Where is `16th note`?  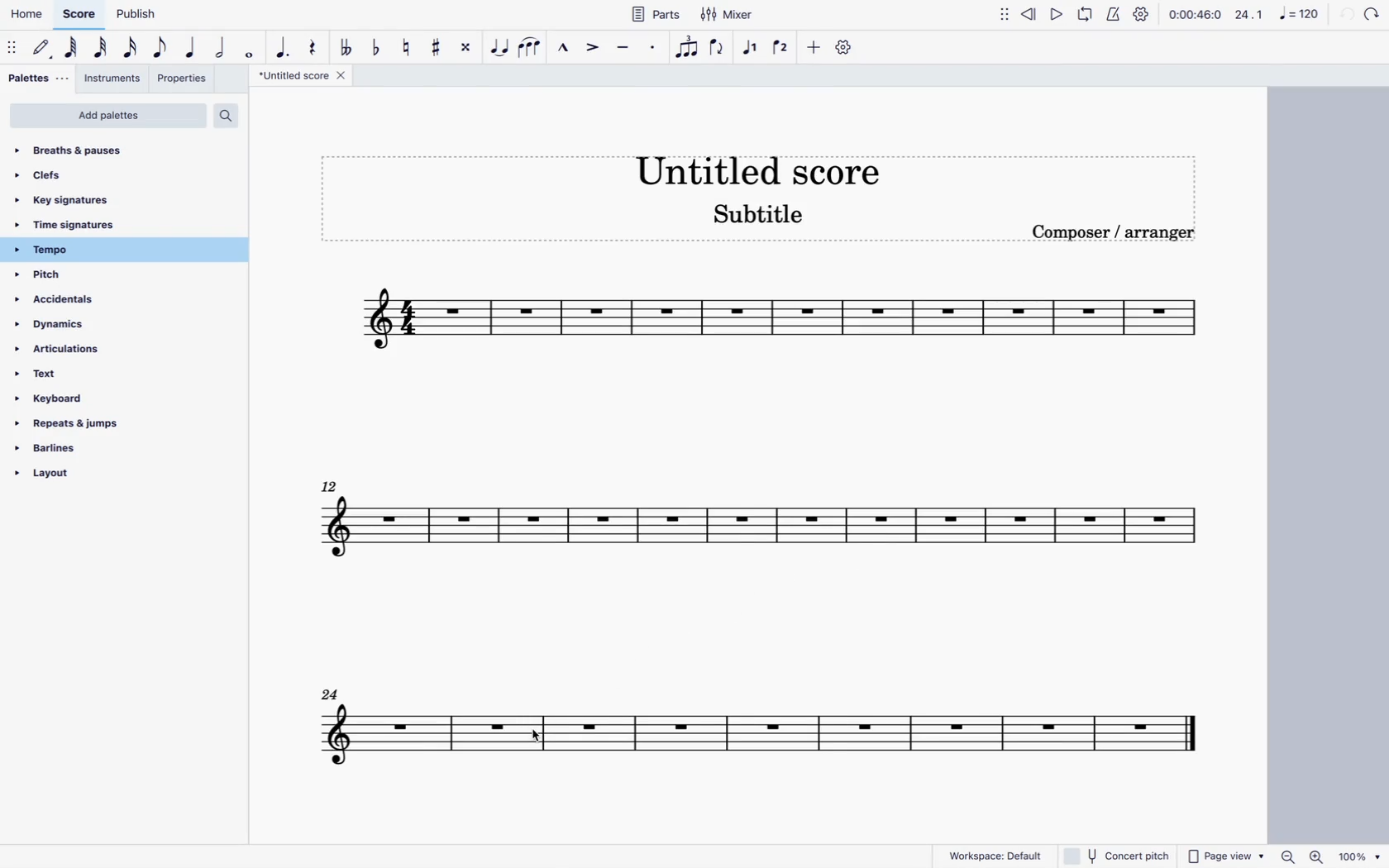
16th note is located at coordinates (131, 48).